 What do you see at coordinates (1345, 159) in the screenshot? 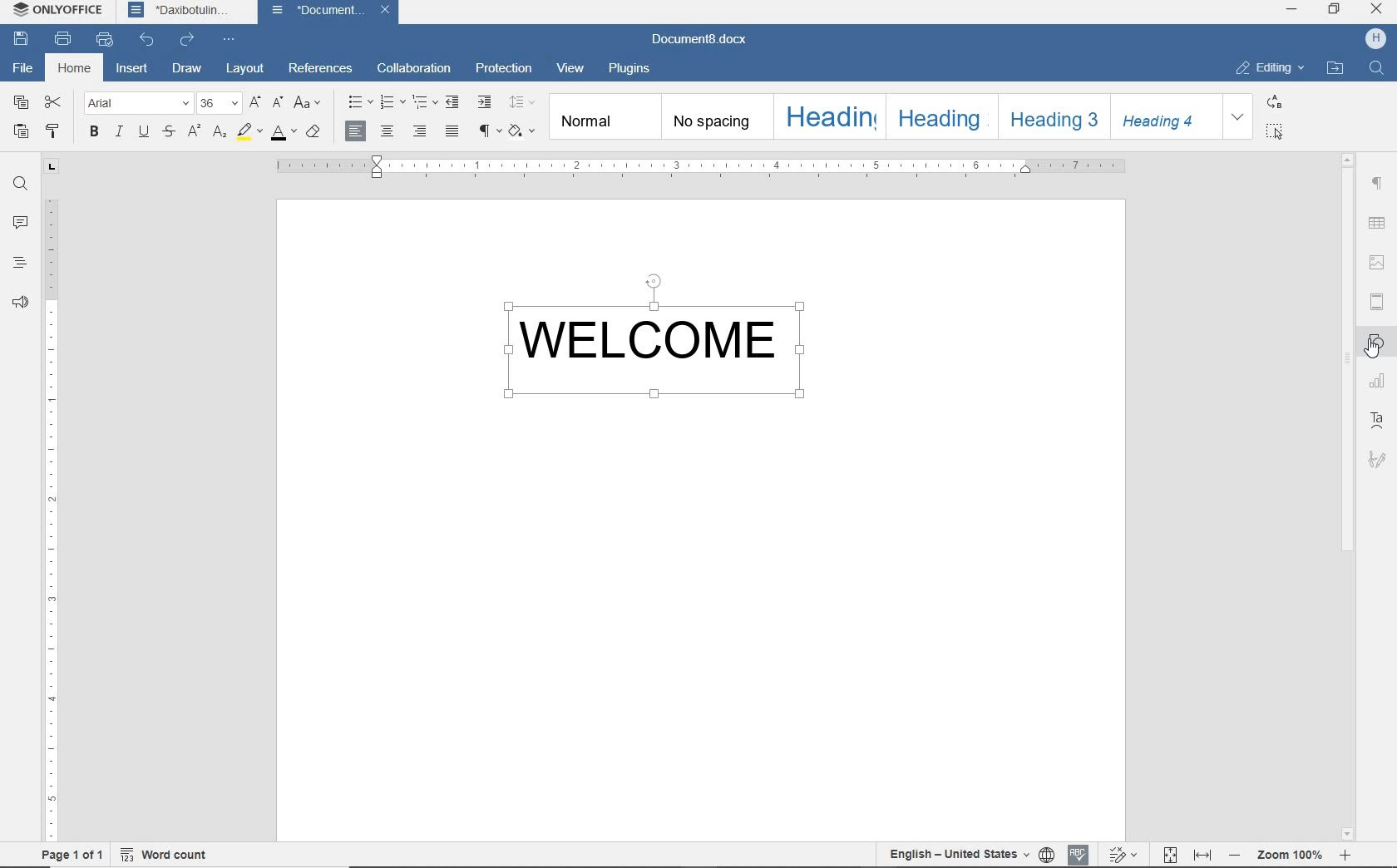
I see `Scroll Up` at bounding box center [1345, 159].